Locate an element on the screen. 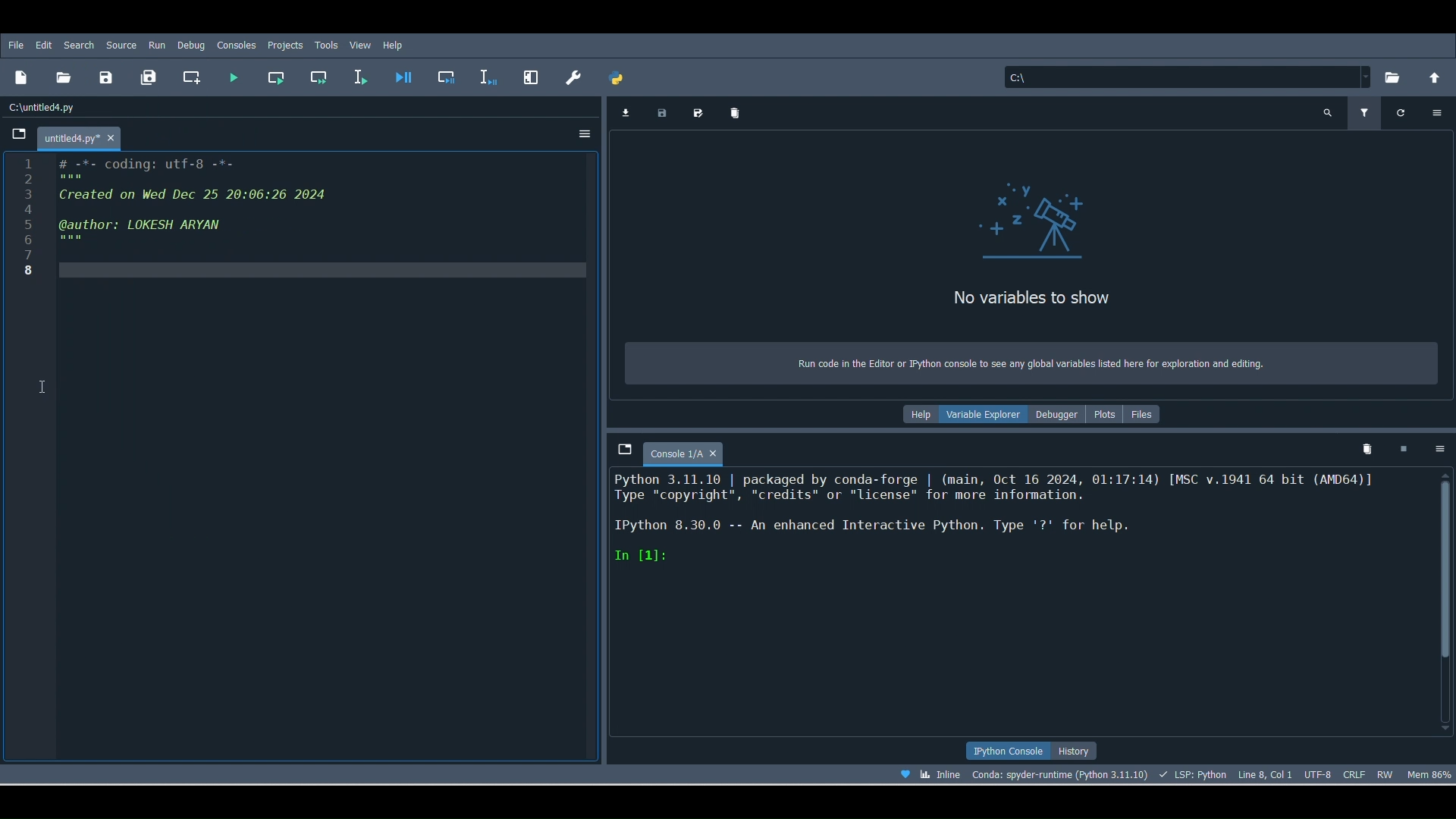 The width and height of the screenshot is (1456, 819). Change to parent directory is located at coordinates (1435, 77).